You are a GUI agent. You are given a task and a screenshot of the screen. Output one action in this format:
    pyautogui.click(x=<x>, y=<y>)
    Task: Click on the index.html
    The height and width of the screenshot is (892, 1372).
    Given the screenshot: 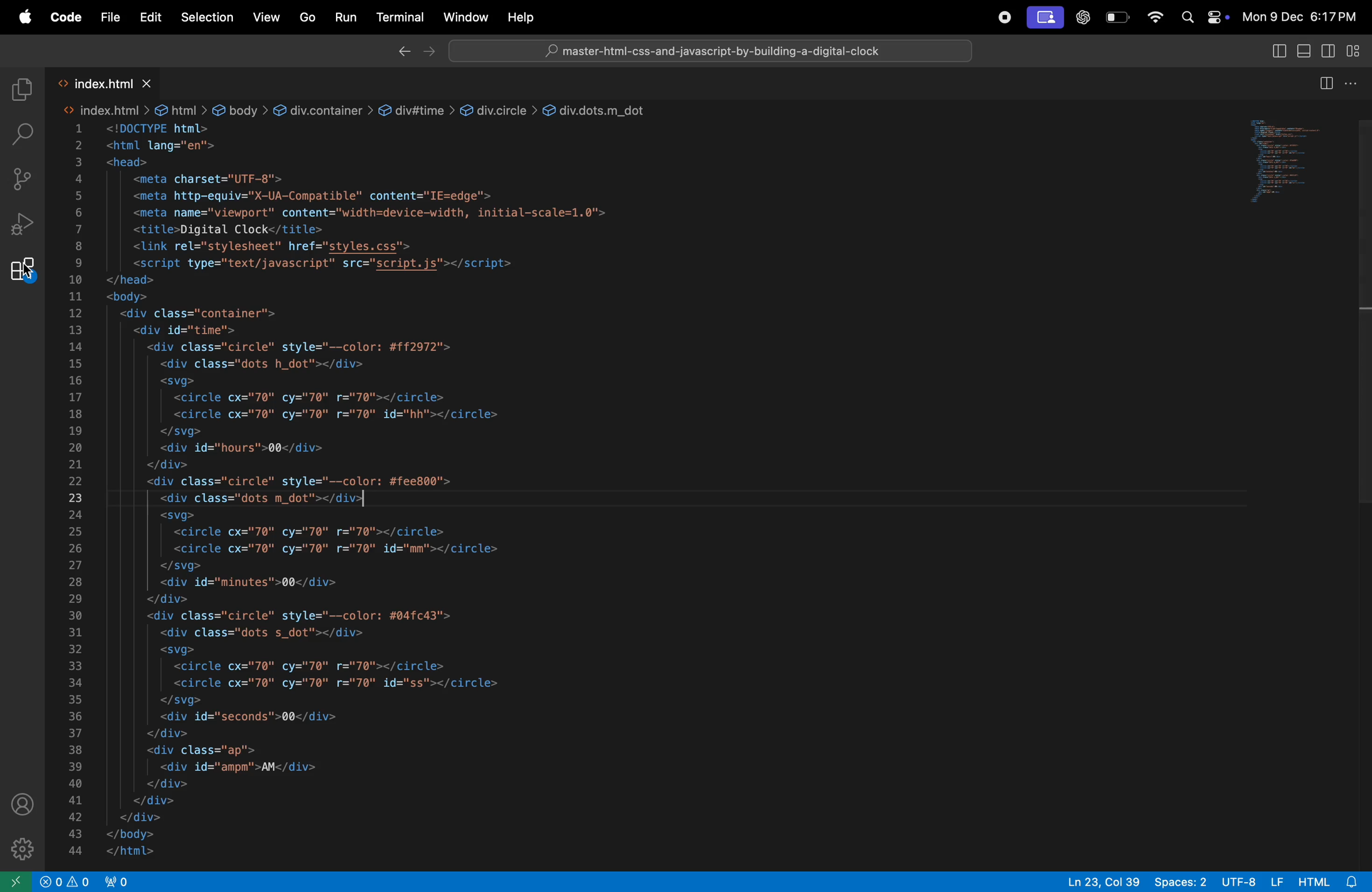 What is the action you would take?
    pyautogui.click(x=103, y=82)
    